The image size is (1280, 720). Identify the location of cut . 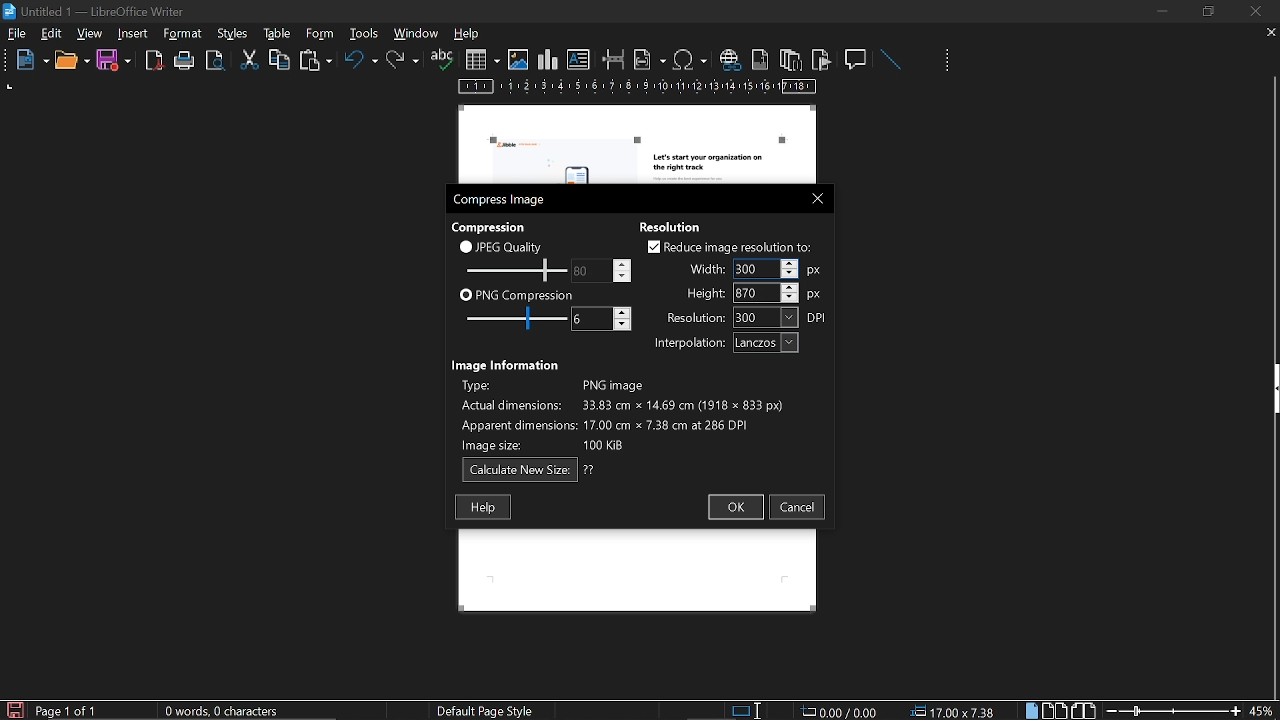
(250, 60).